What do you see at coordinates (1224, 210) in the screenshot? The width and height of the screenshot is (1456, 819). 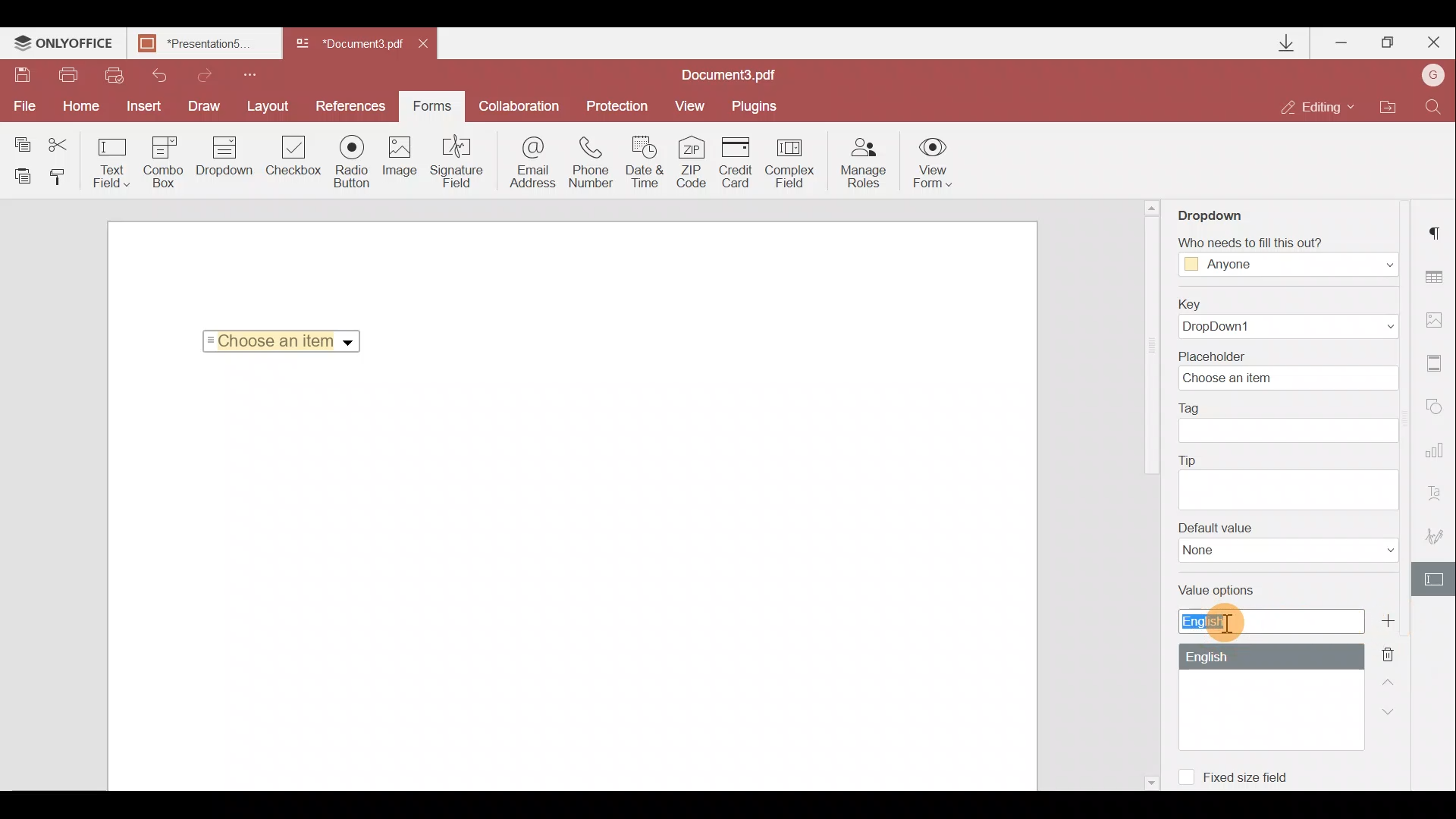 I see `Dropdown` at bounding box center [1224, 210].